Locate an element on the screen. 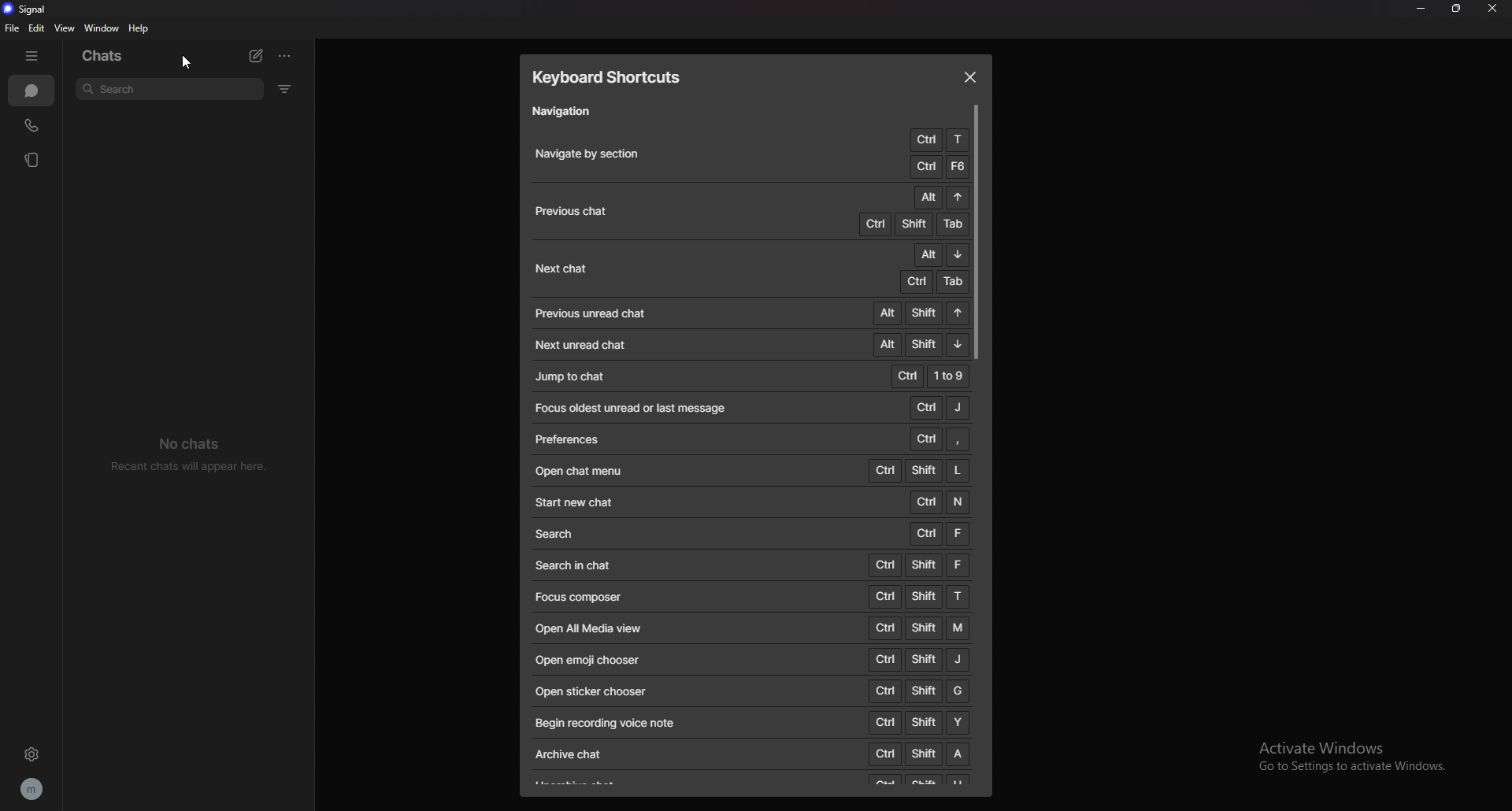  navigation is located at coordinates (569, 113).